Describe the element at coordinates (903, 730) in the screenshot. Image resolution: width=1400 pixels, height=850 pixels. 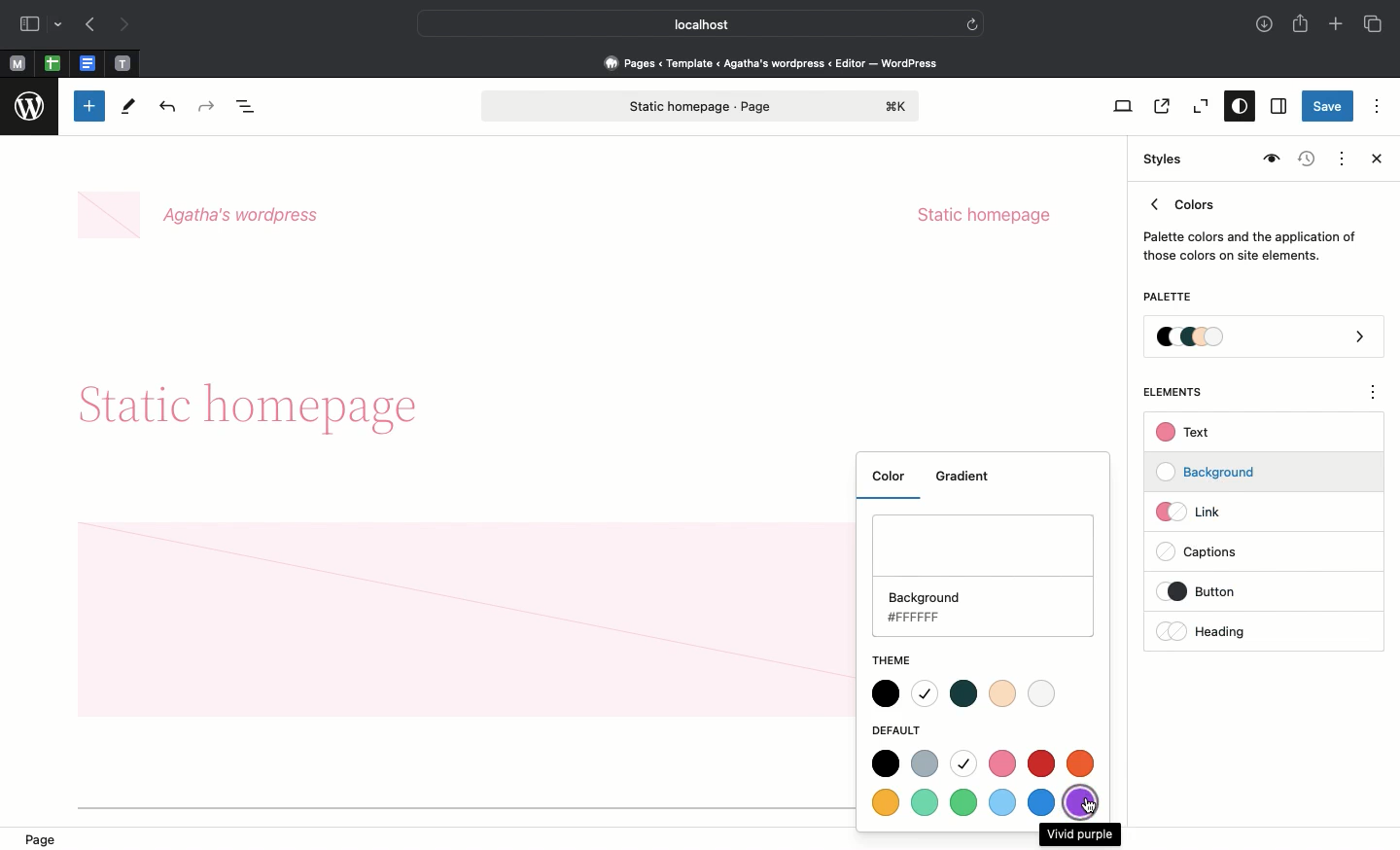
I see `Default` at that location.